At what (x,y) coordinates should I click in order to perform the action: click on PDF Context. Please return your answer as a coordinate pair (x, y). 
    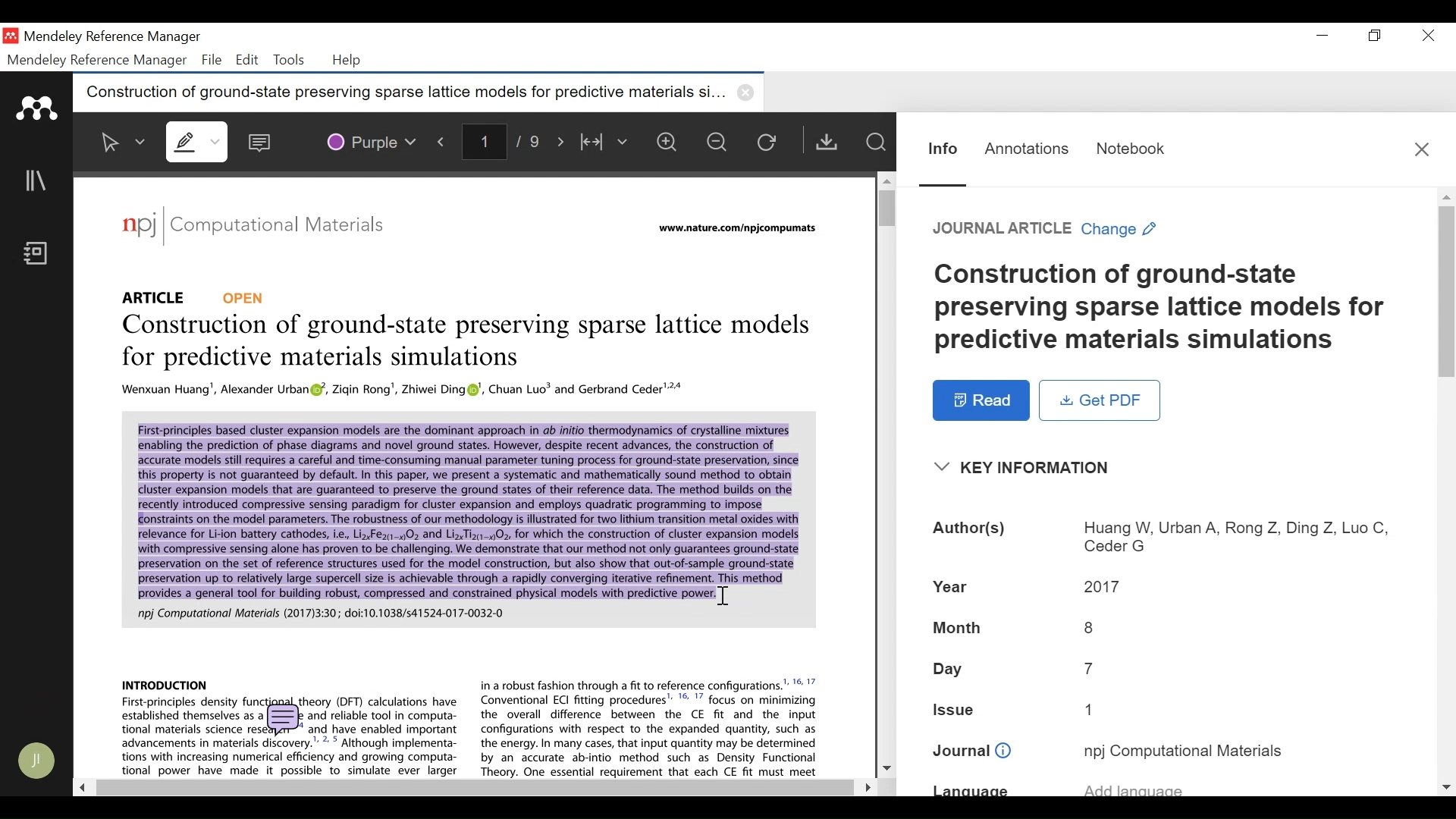
    Looking at the image, I should click on (165, 683).